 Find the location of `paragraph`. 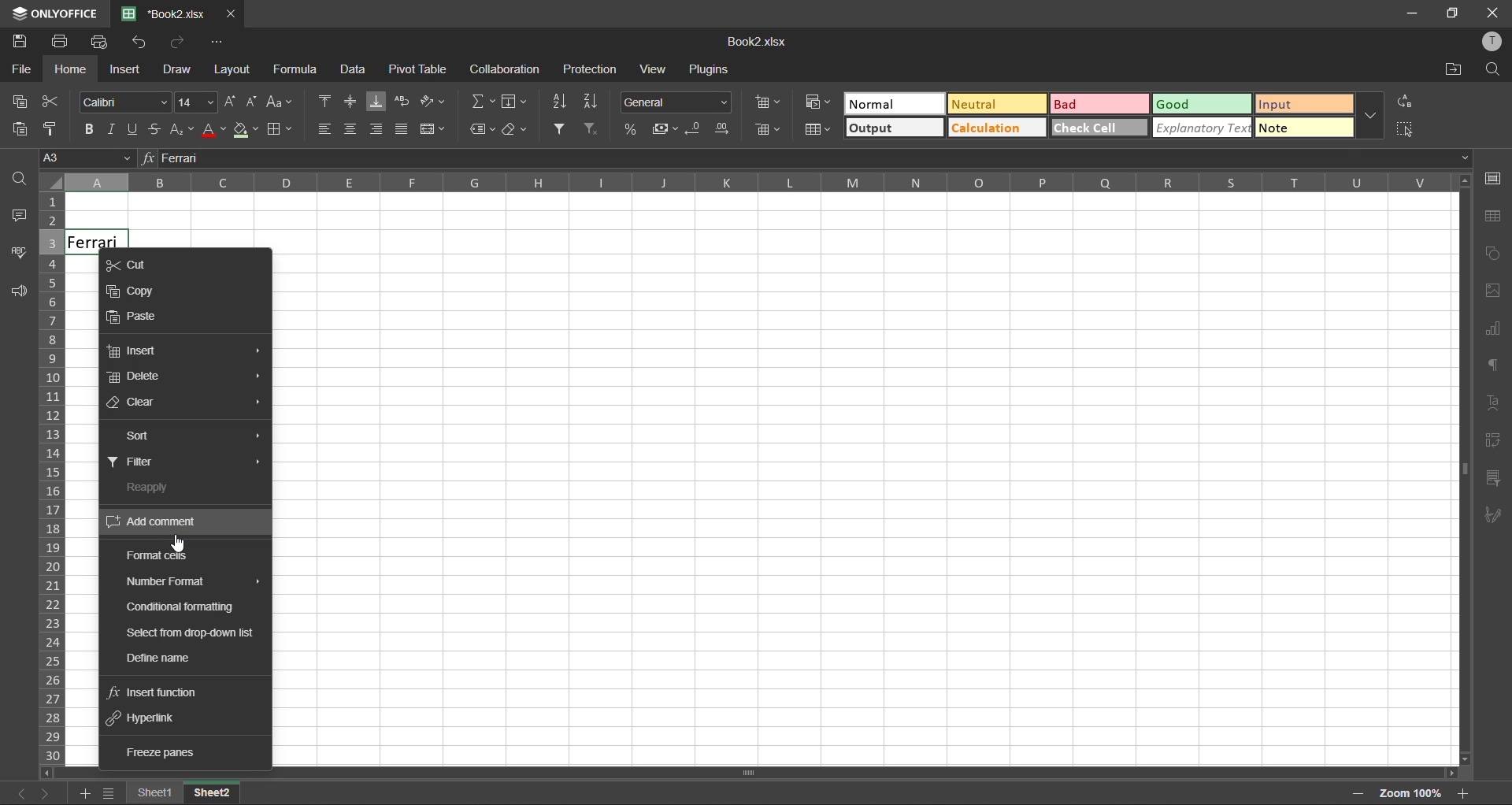

paragraph is located at coordinates (1497, 367).